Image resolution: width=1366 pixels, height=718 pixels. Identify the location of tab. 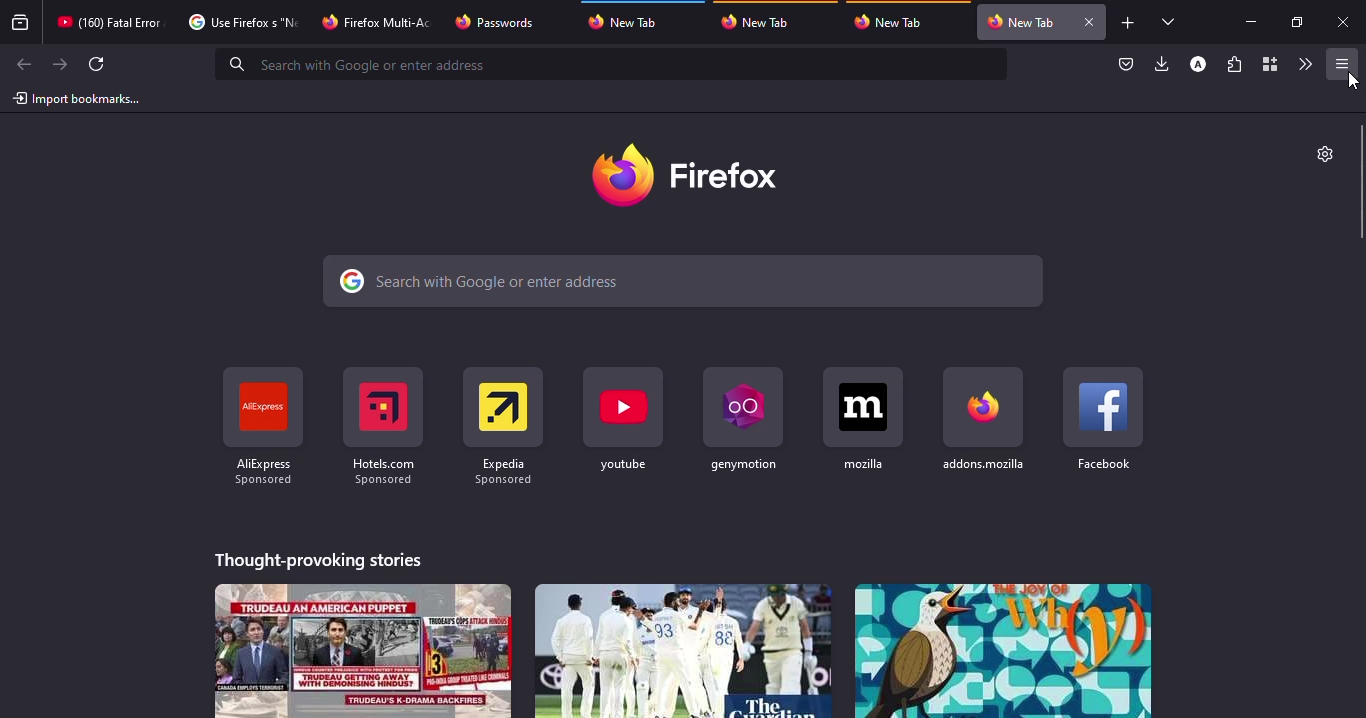
(632, 19).